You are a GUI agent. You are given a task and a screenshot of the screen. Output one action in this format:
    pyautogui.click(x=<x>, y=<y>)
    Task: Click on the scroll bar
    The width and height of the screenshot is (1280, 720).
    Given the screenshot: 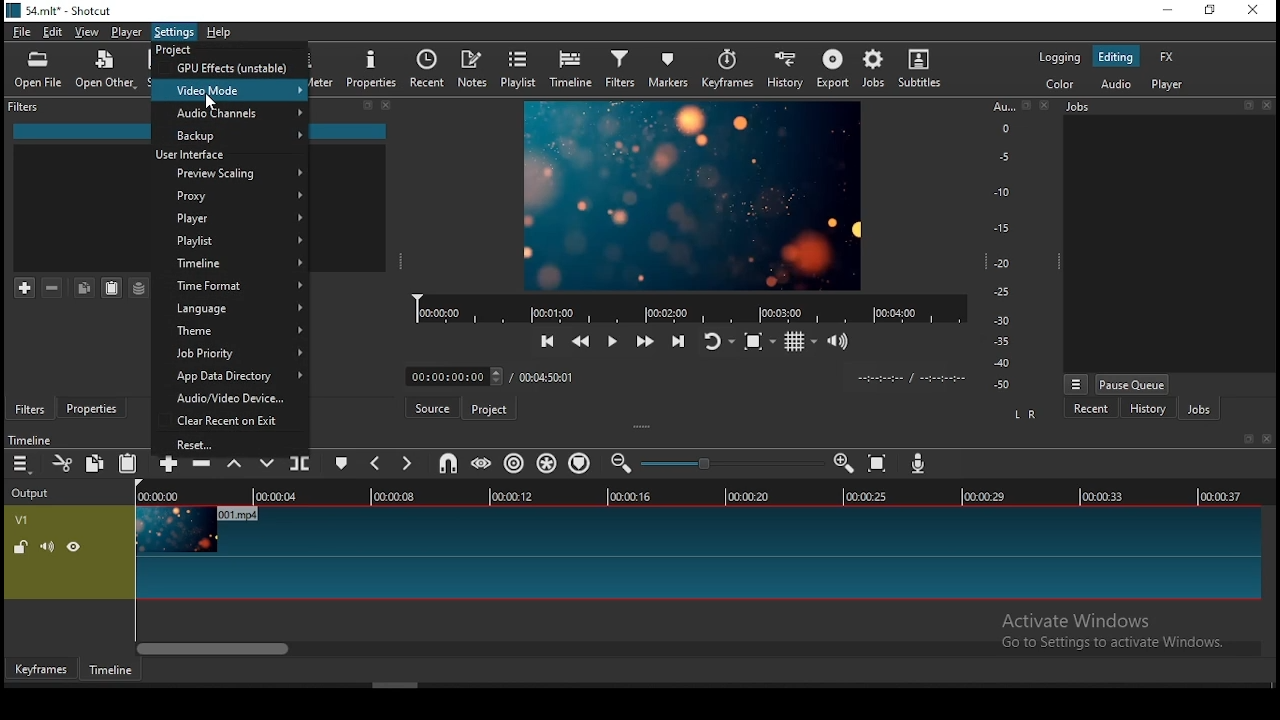 What is the action you would take?
    pyautogui.click(x=699, y=647)
    